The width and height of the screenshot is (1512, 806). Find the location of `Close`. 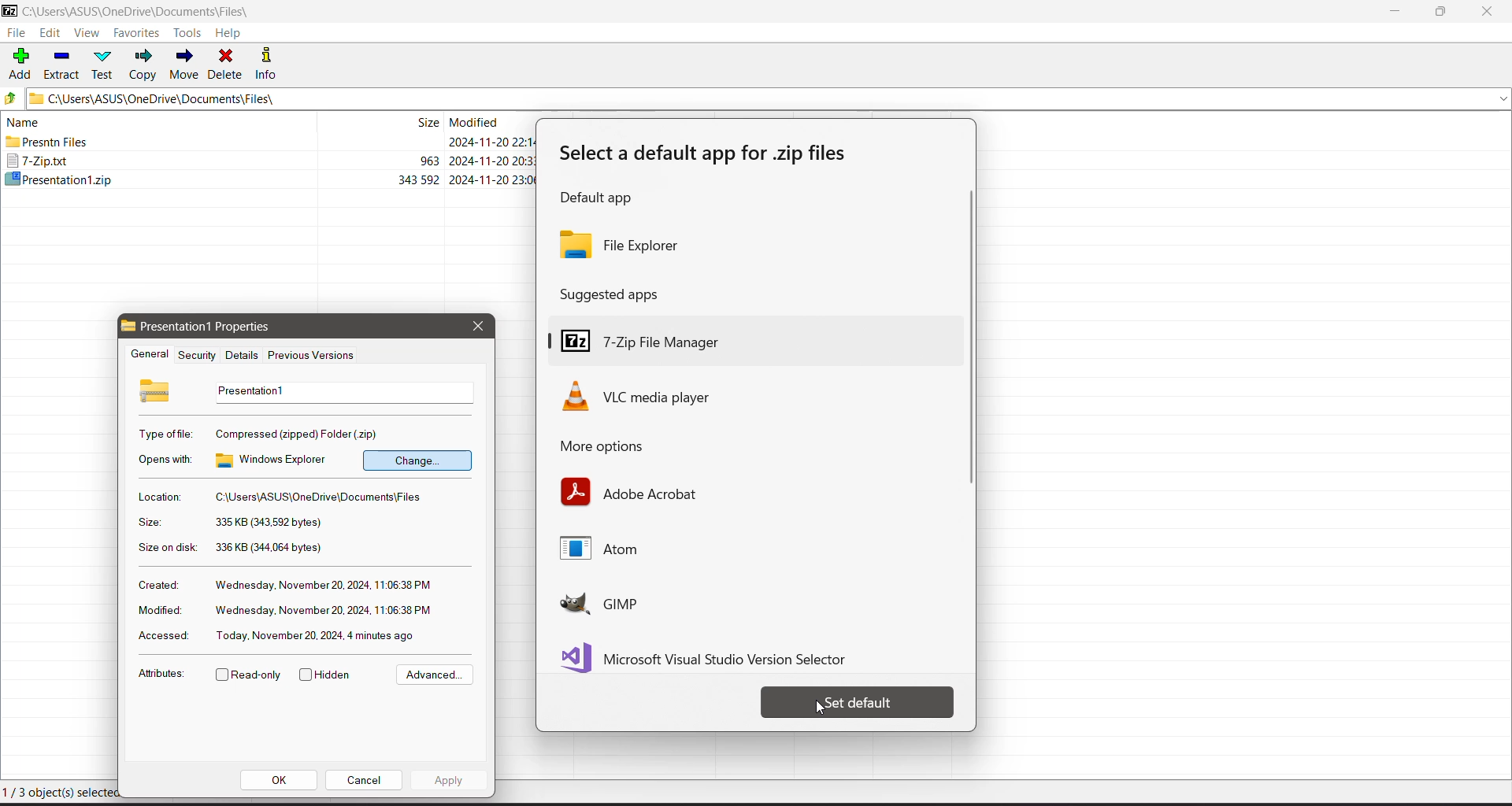

Close is located at coordinates (477, 326).